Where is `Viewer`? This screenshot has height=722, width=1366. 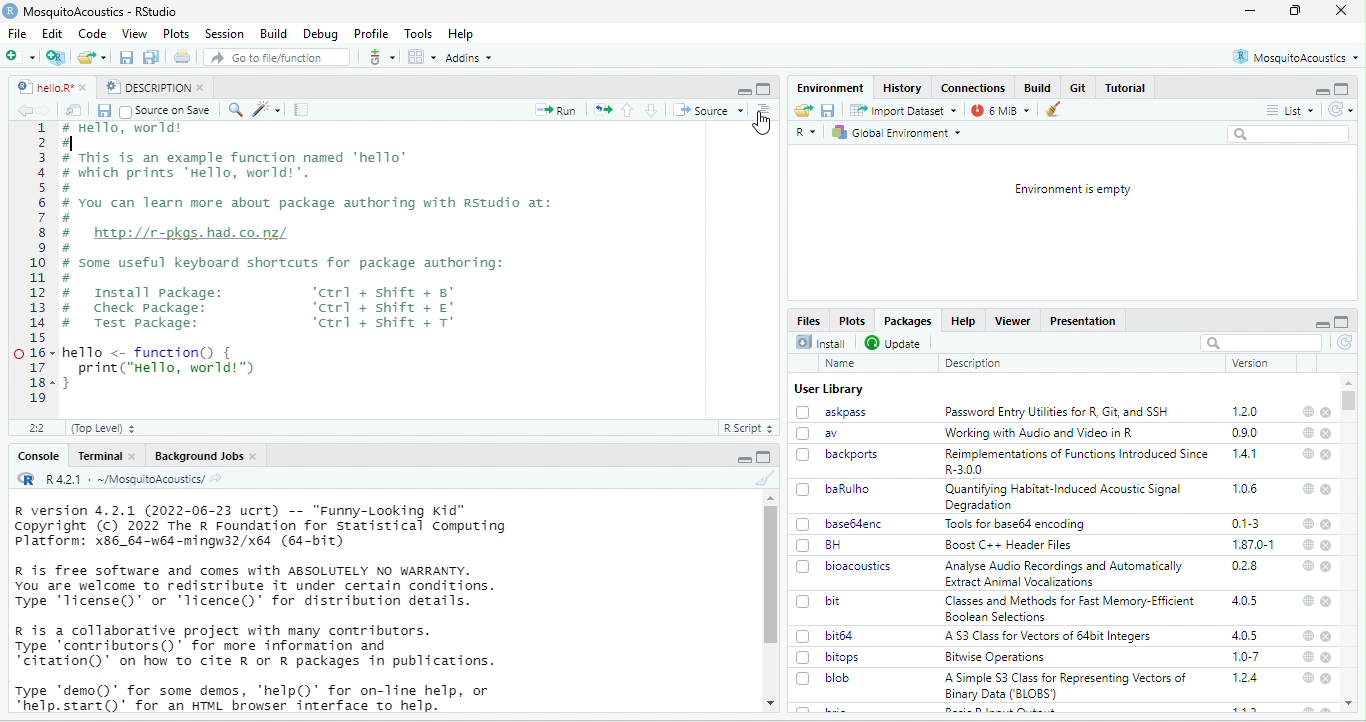
Viewer is located at coordinates (1015, 321).